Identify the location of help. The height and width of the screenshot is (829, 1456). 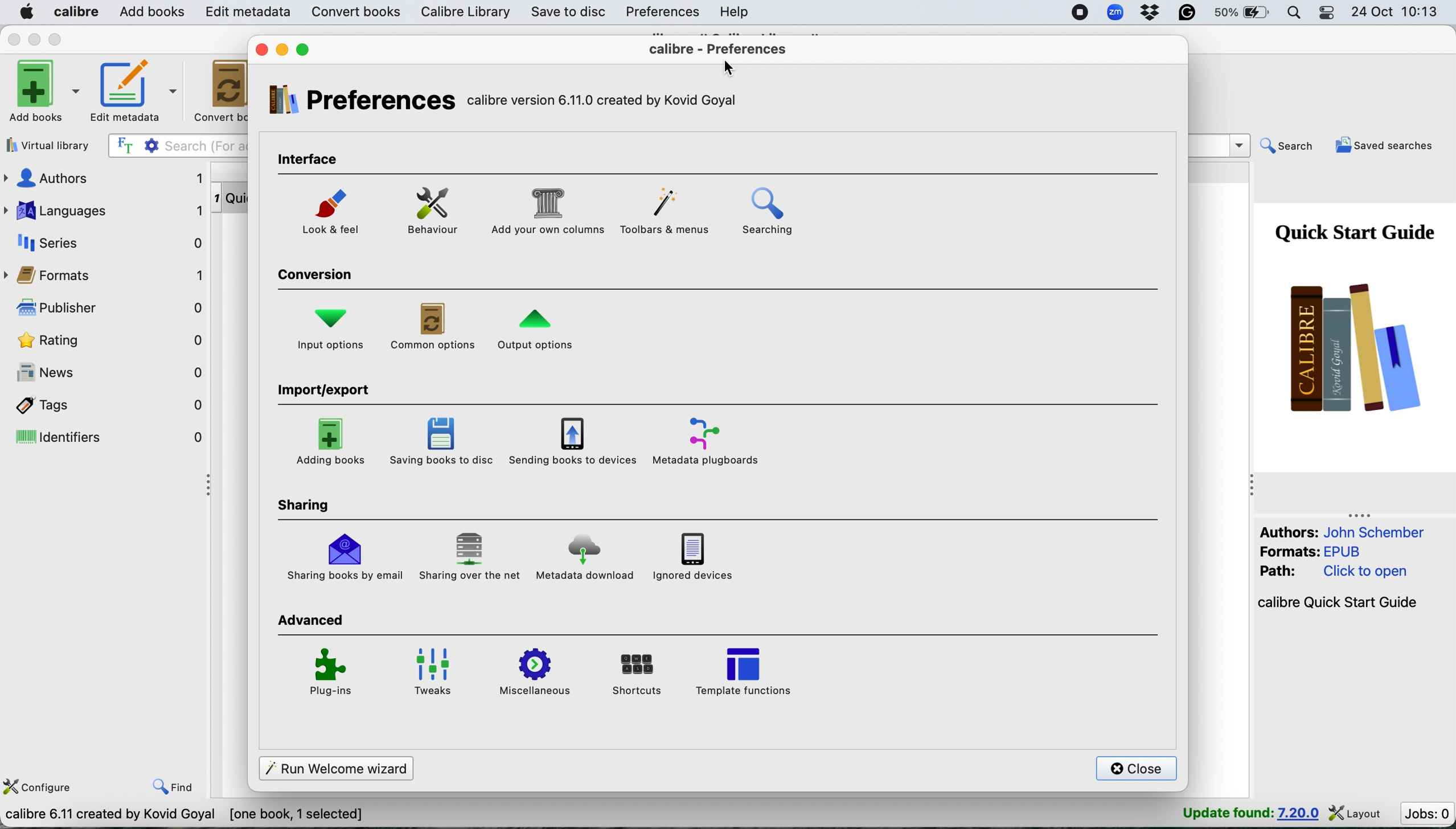
(739, 13).